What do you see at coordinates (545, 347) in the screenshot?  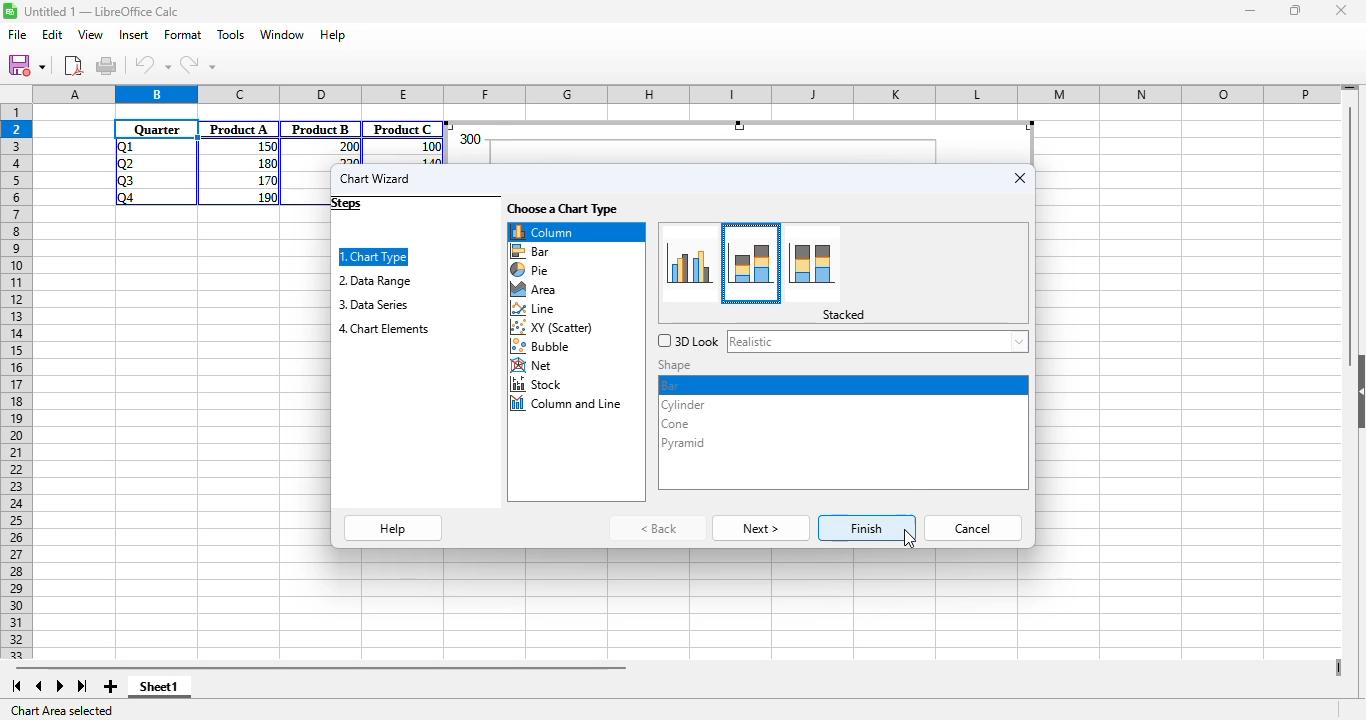 I see `bubble` at bounding box center [545, 347].